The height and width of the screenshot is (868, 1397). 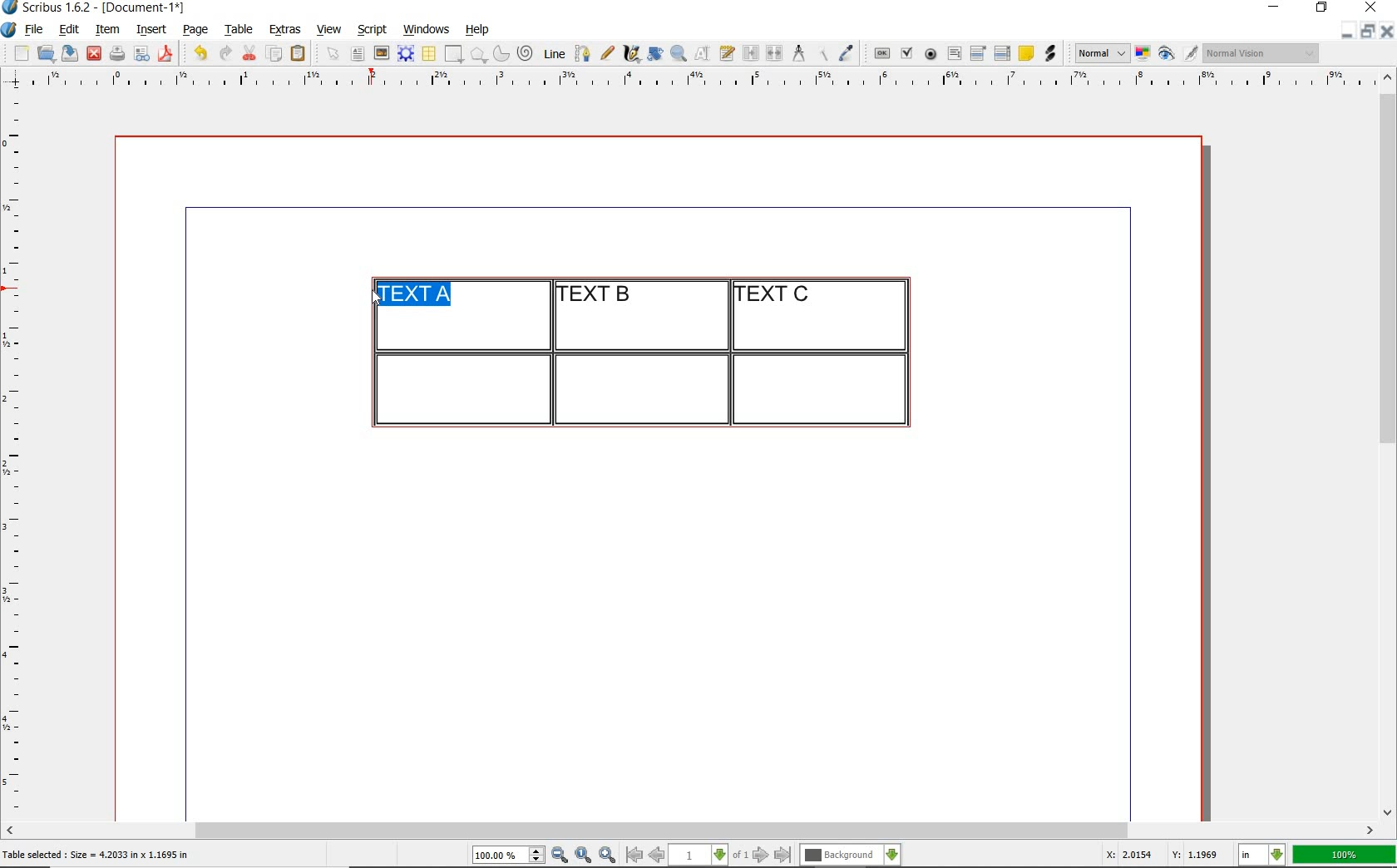 What do you see at coordinates (301, 54) in the screenshot?
I see `paste` at bounding box center [301, 54].